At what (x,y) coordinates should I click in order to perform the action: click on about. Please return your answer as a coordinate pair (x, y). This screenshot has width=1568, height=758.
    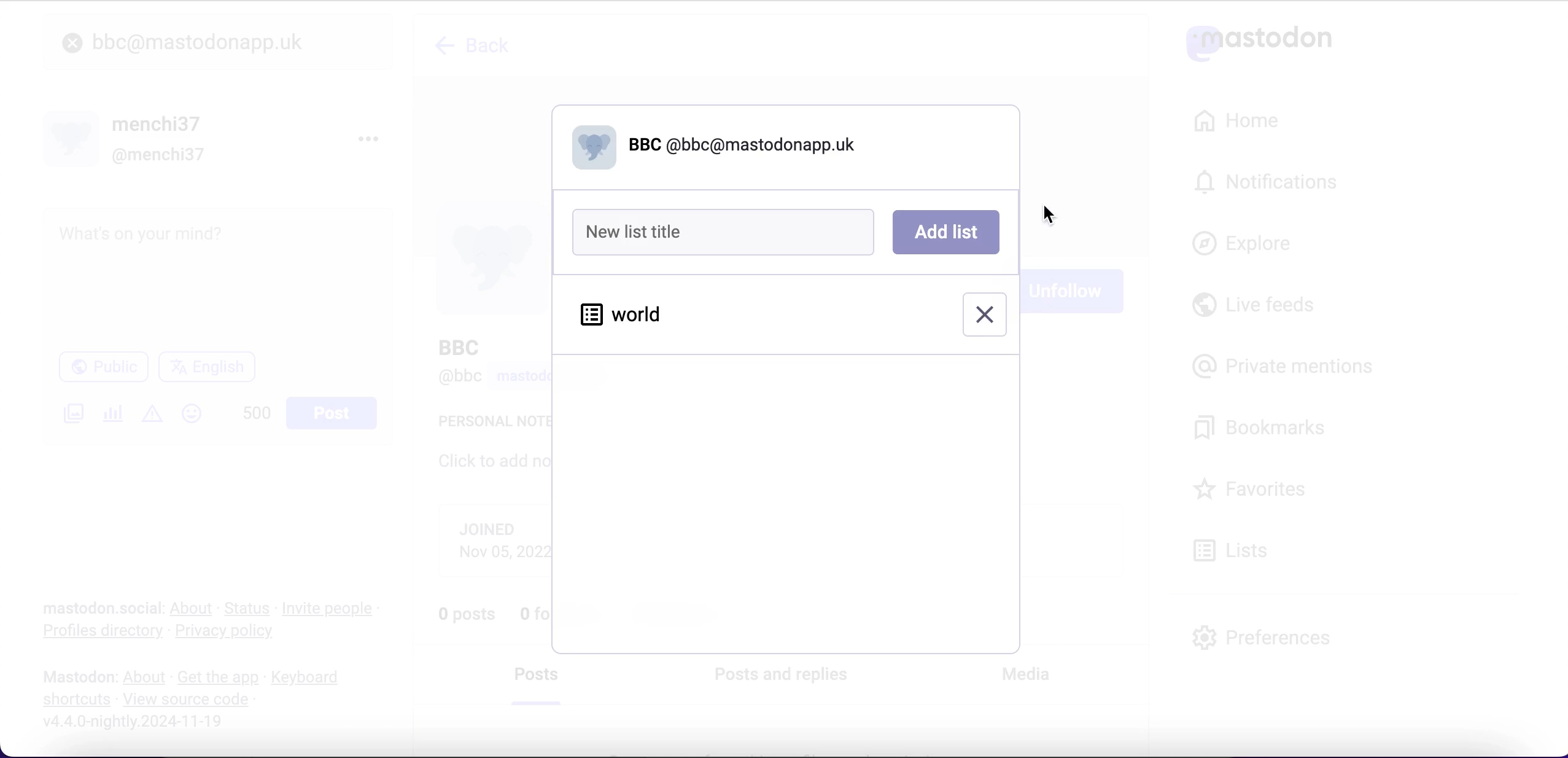
    Looking at the image, I should click on (194, 608).